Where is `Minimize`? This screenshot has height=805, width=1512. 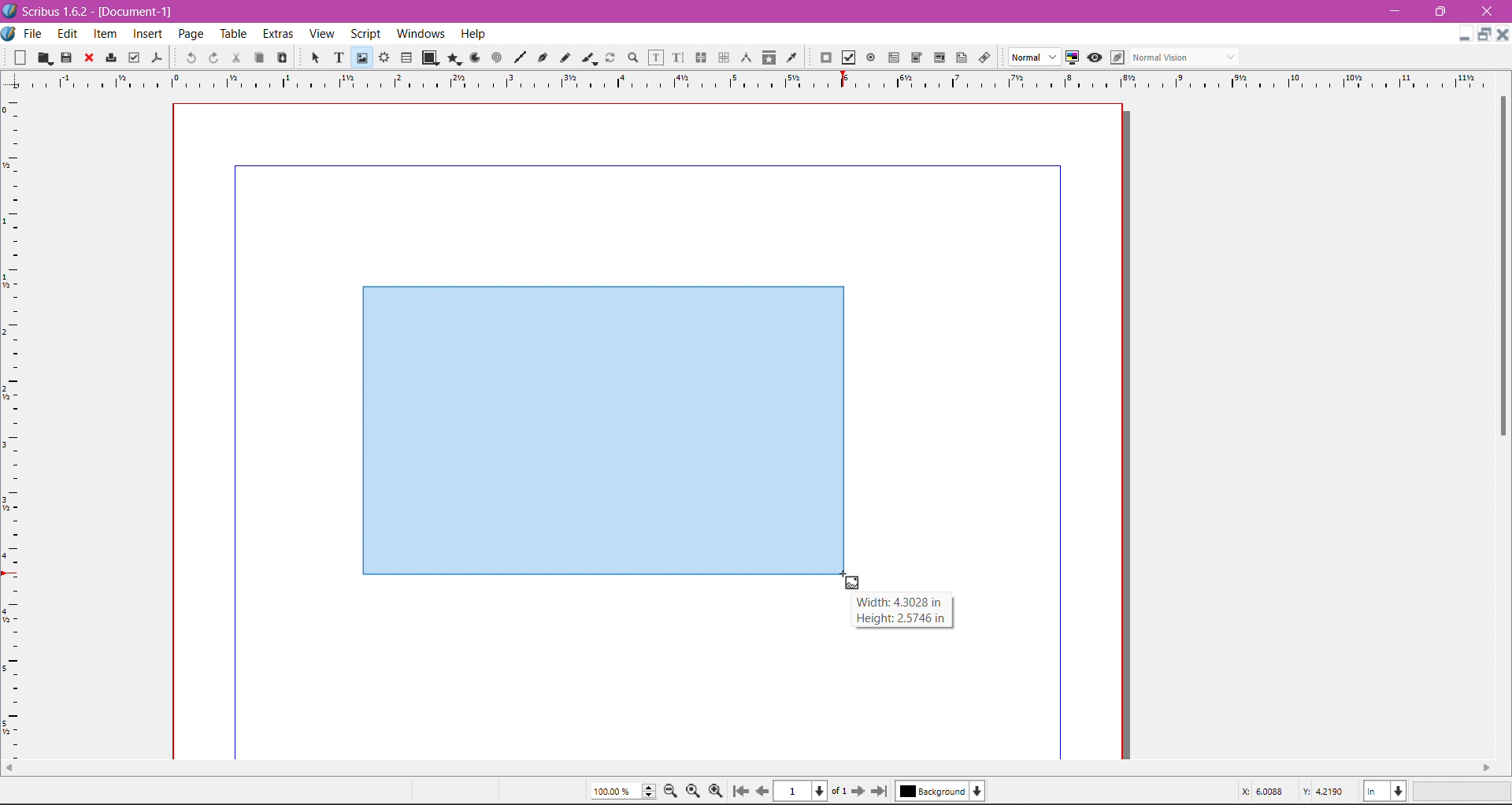
Minimize is located at coordinates (1396, 10).